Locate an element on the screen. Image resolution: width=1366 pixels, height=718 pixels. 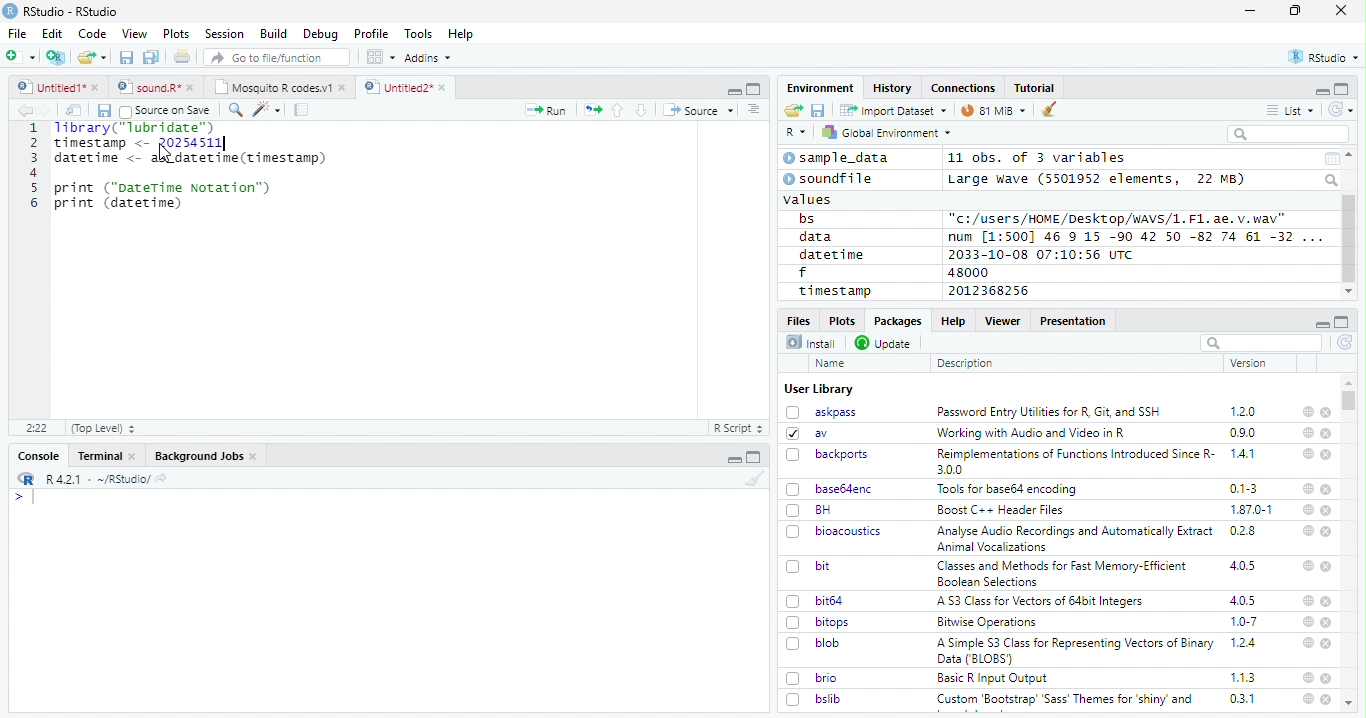
Console is located at coordinates (38, 456).